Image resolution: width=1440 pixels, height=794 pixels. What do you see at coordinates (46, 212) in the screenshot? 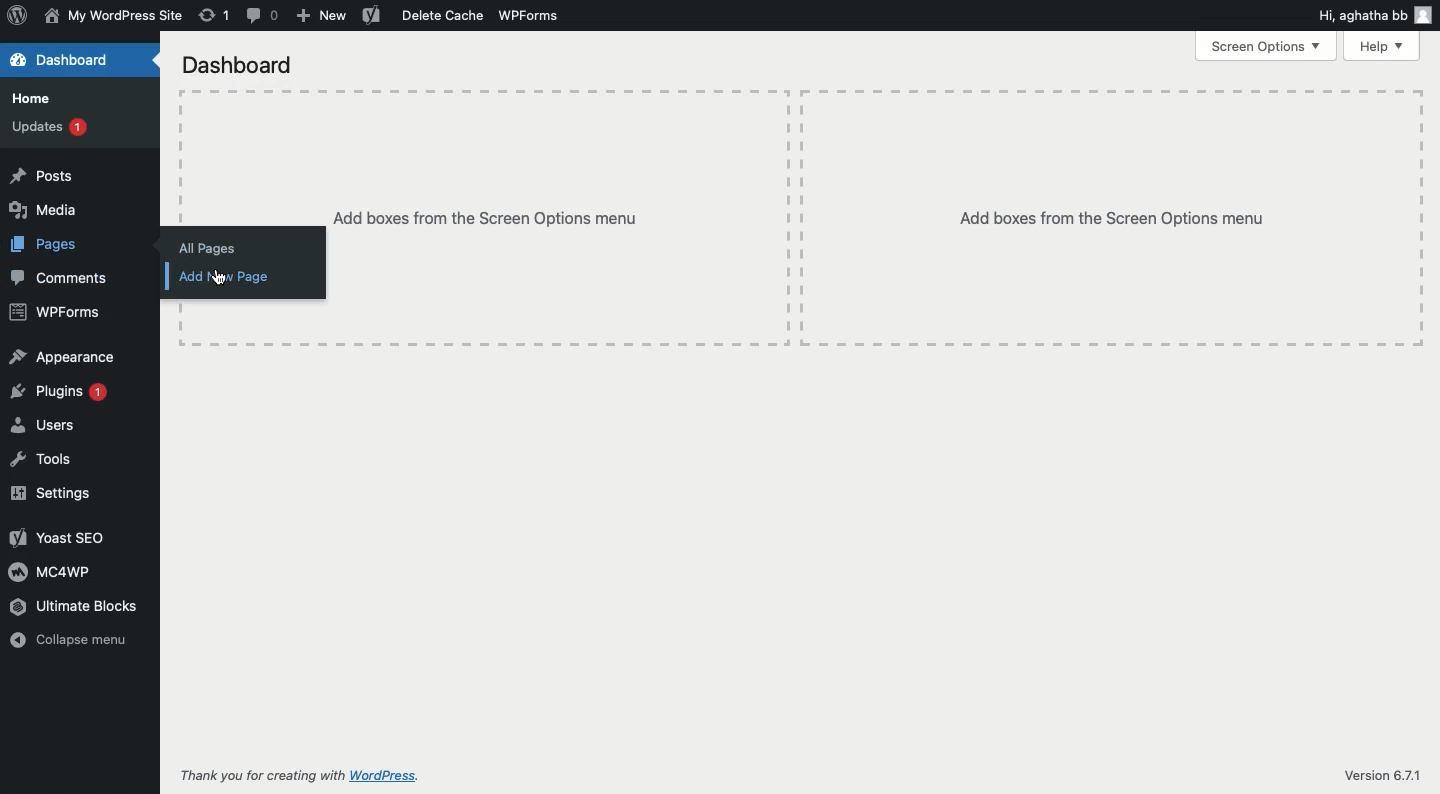
I see `Media` at bounding box center [46, 212].